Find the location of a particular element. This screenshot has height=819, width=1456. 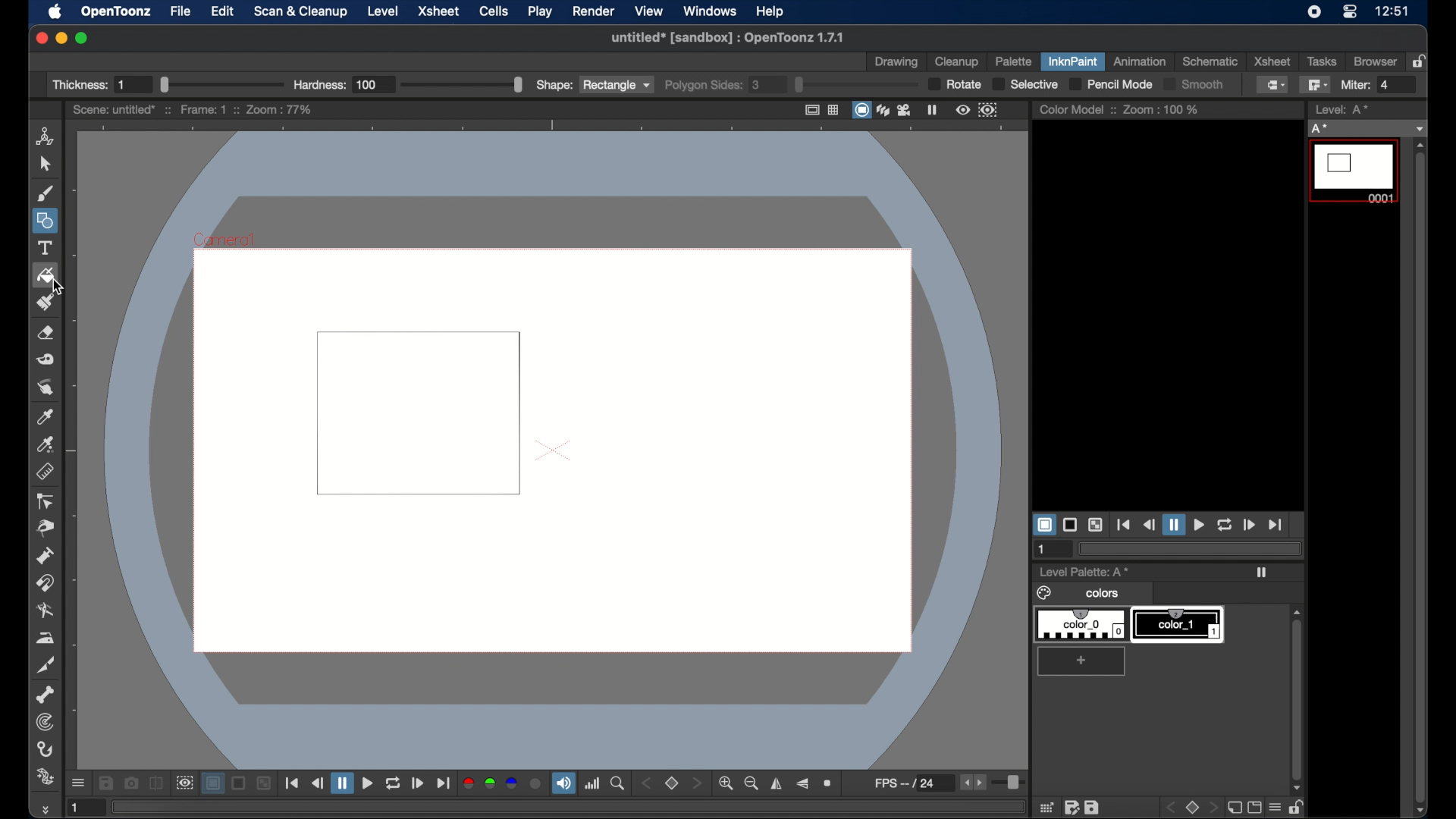

freeze is located at coordinates (933, 109).